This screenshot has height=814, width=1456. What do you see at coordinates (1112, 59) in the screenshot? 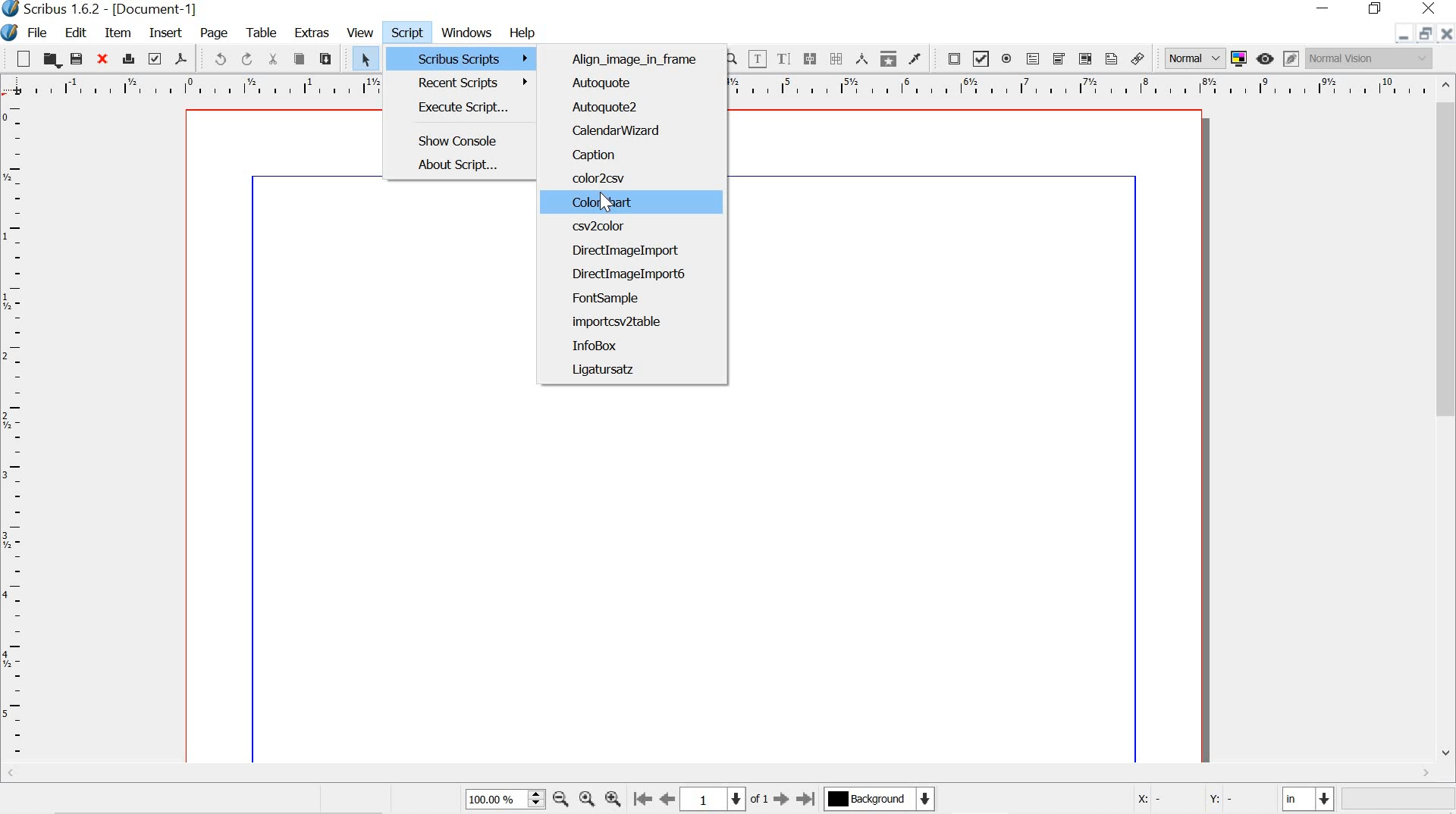
I see `text annotation` at bounding box center [1112, 59].